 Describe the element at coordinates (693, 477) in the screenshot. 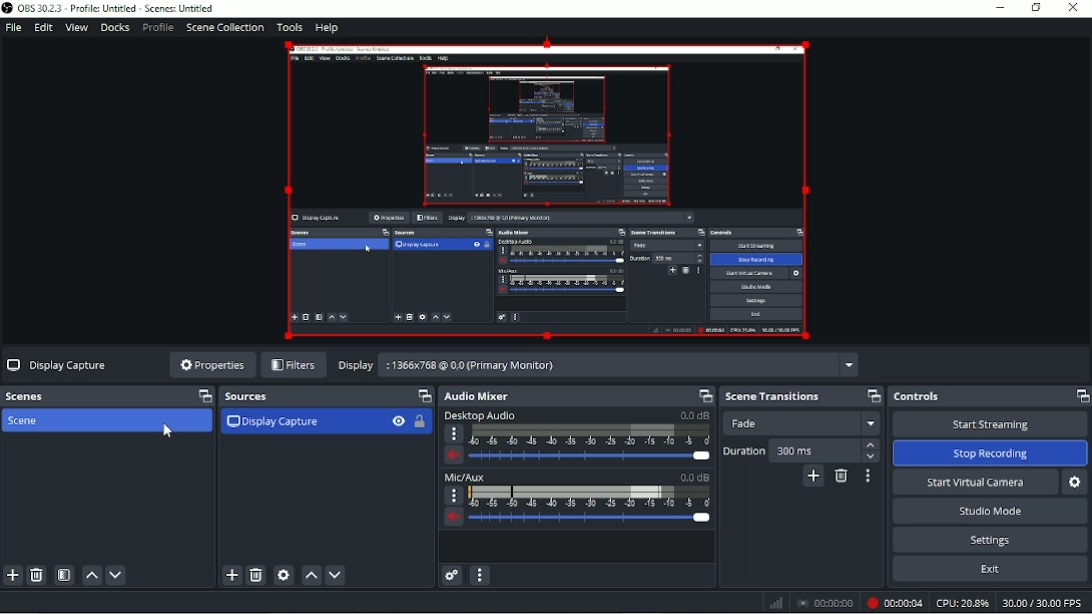

I see `0.0 dB` at that location.